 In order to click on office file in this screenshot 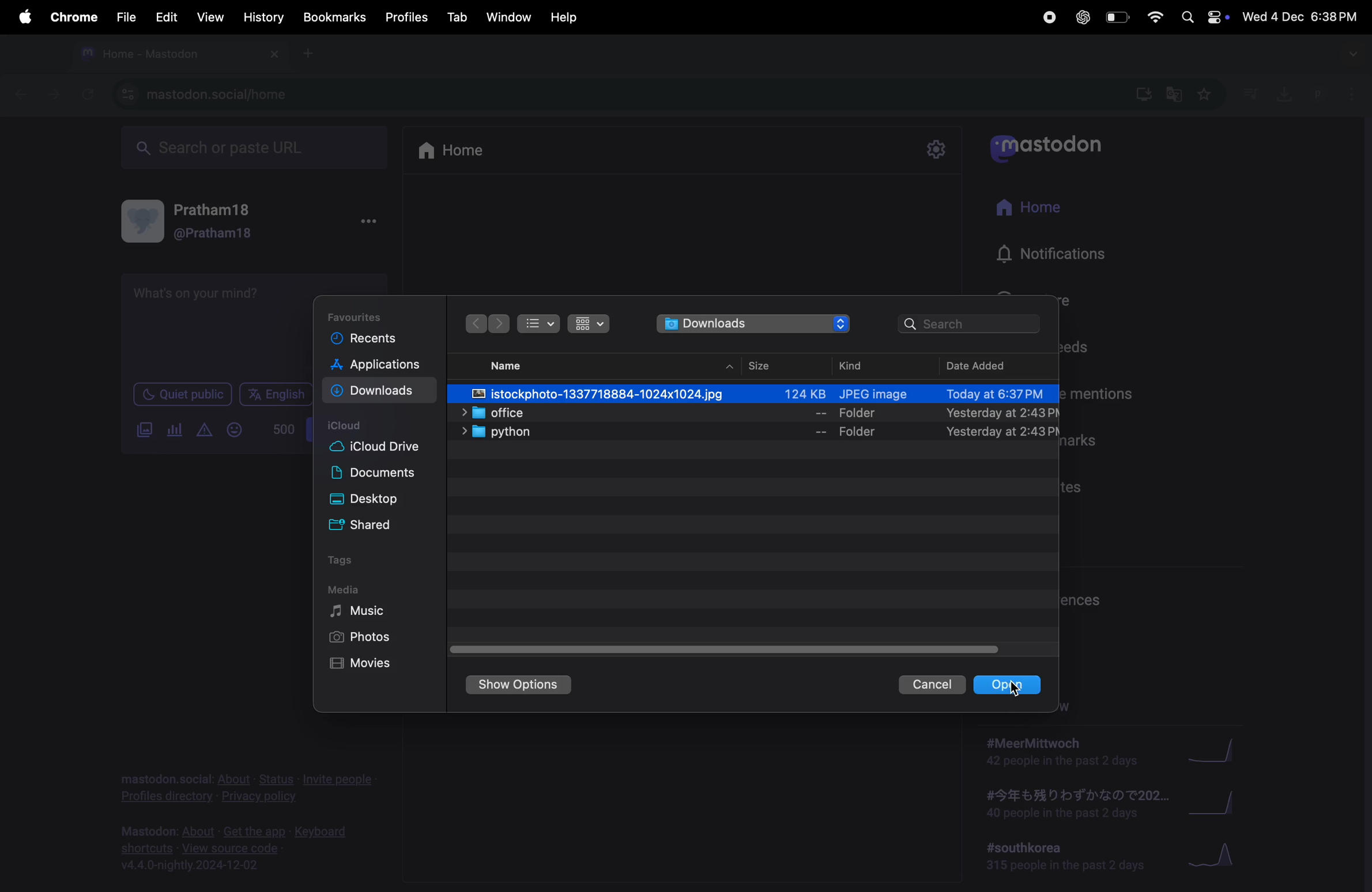, I will do `click(750, 413)`.